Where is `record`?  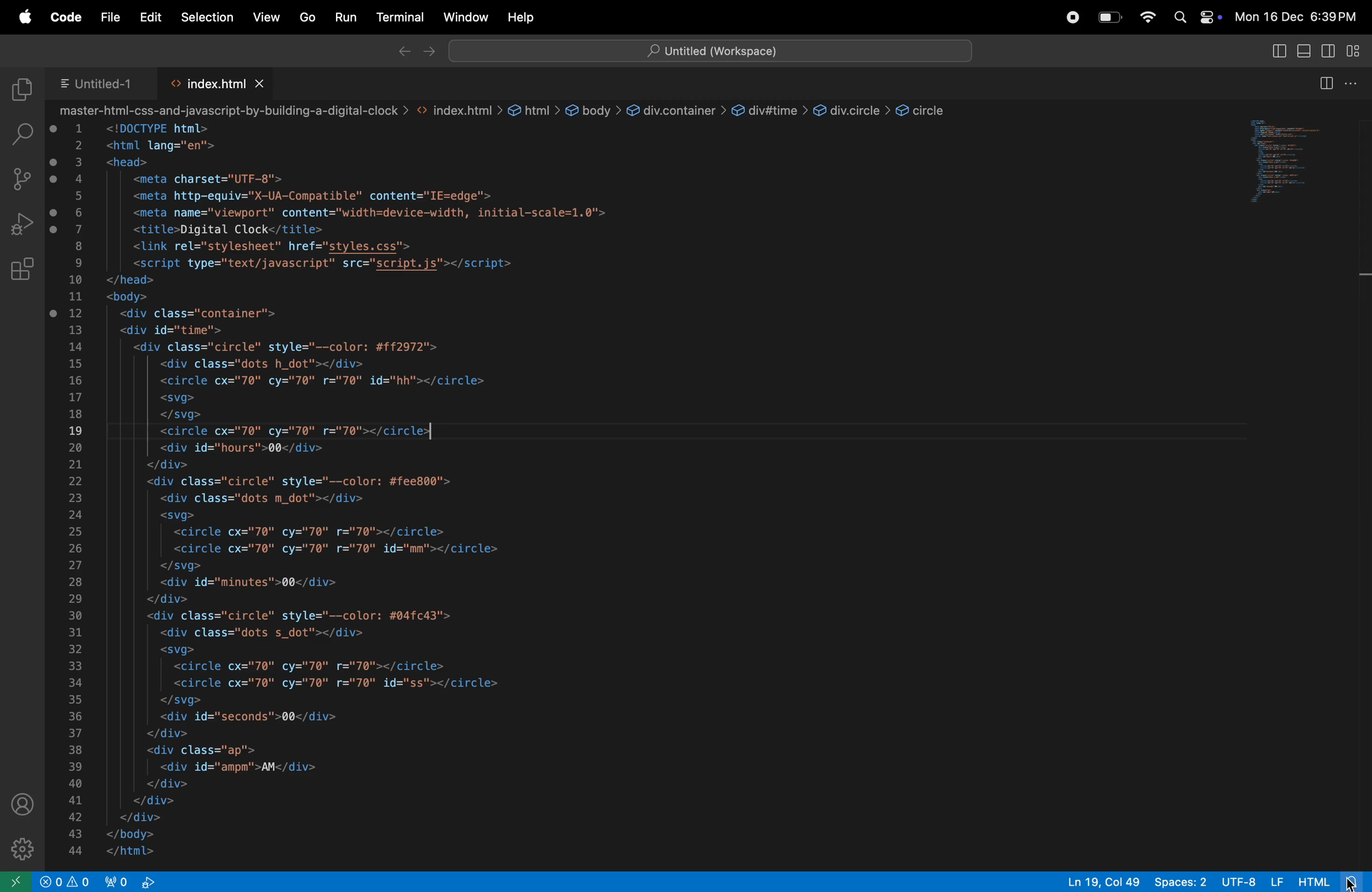
record is located at coordinates (1073, 17).